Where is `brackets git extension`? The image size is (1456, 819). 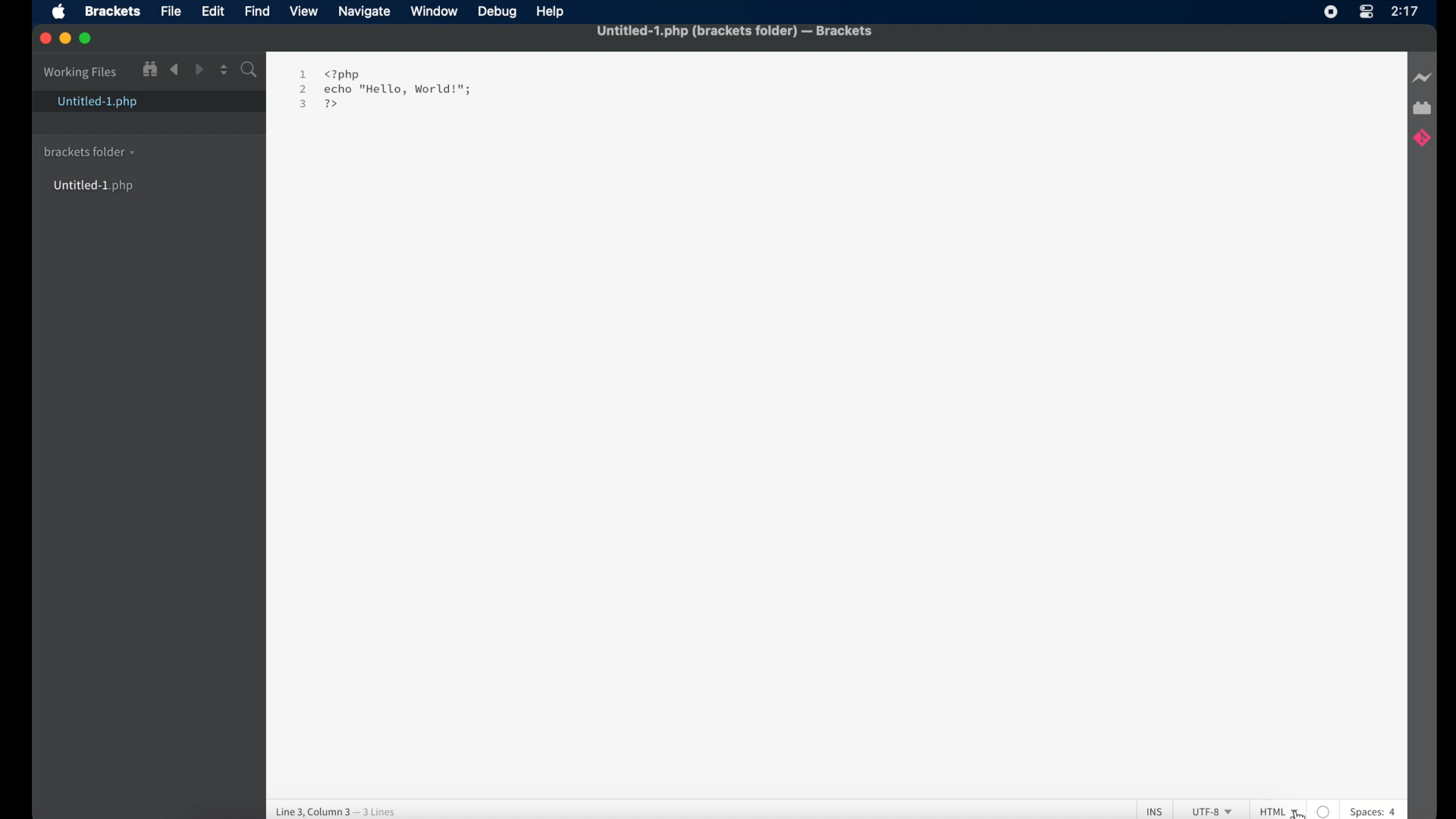 brackets git extension is located at coordinates (1421, 140).